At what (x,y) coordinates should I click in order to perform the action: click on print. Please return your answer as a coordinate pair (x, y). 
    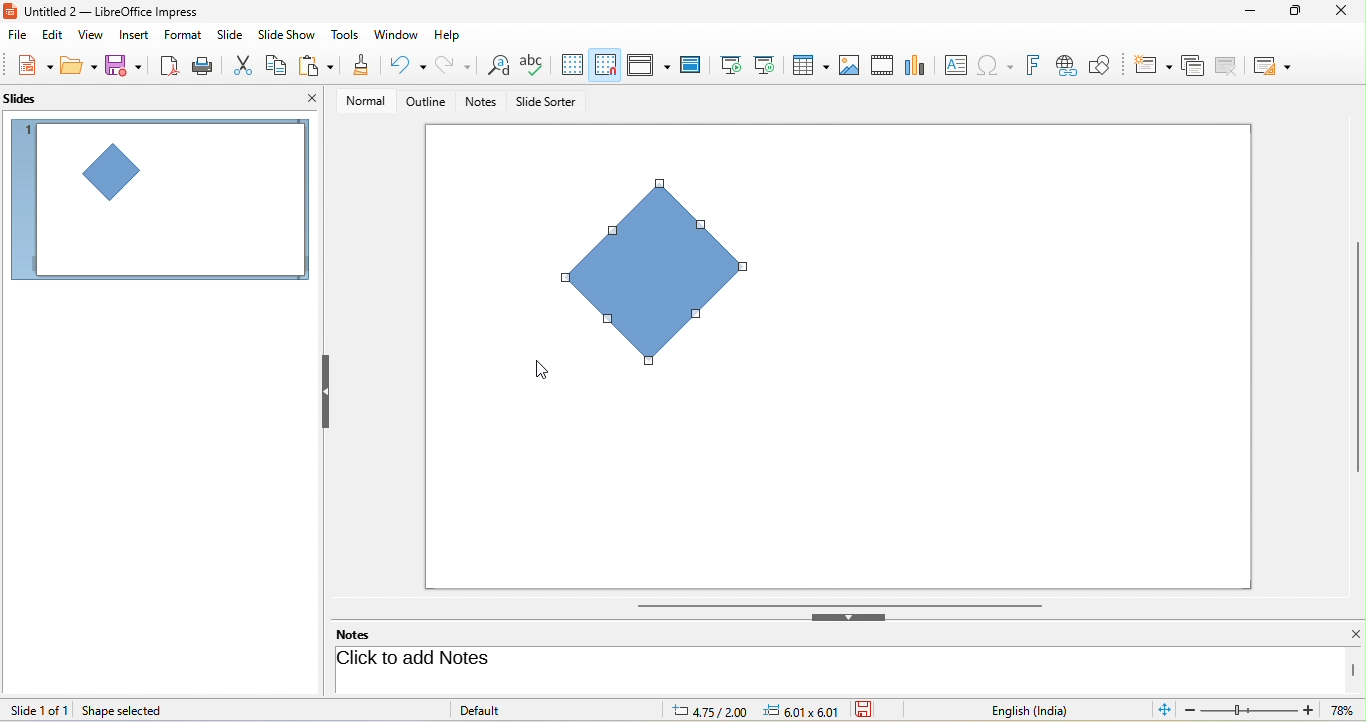
    Looking at the image, I should click on (206, 65).